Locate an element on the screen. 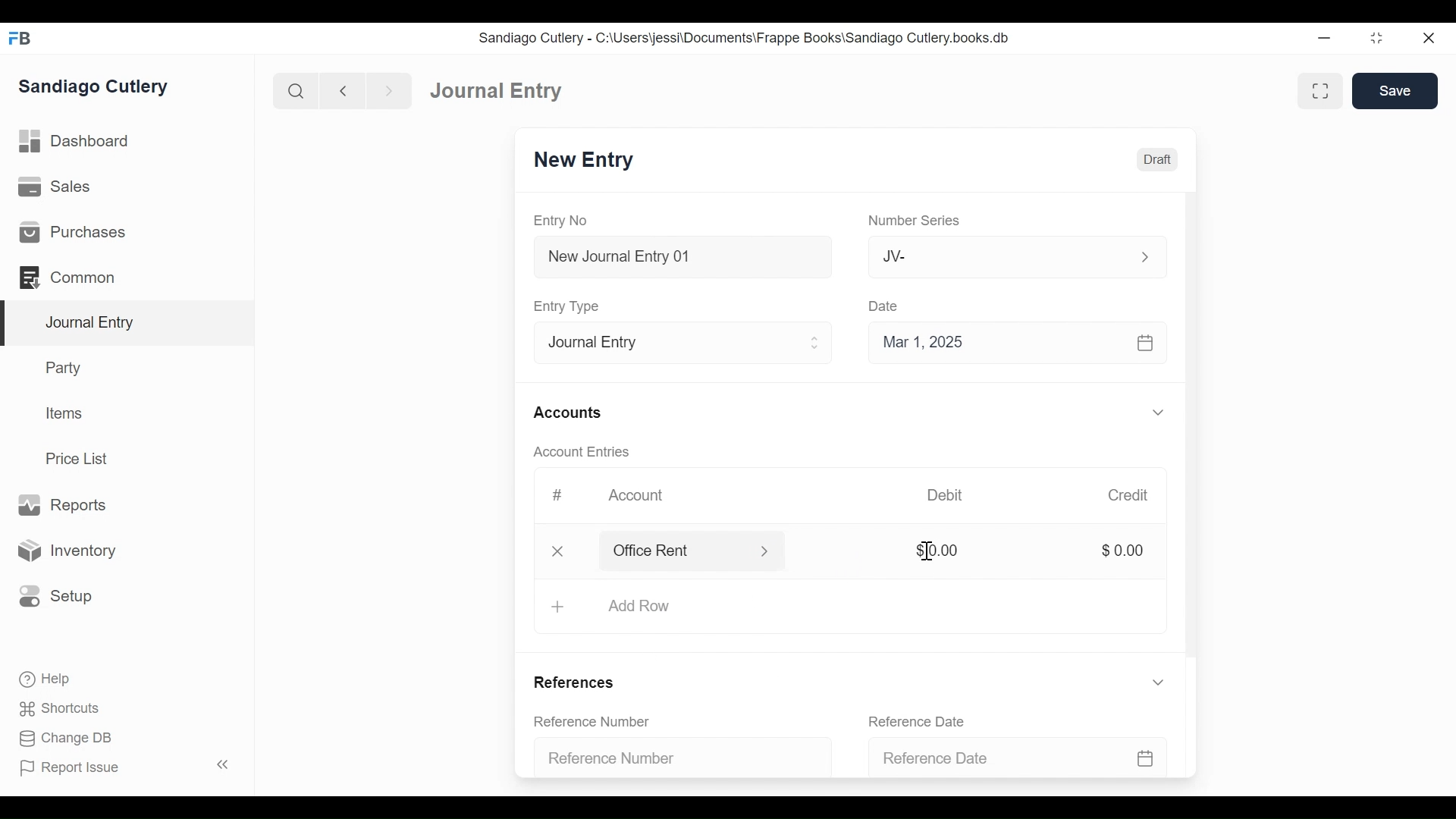  Account Entries is located at coordinates (576, 452).